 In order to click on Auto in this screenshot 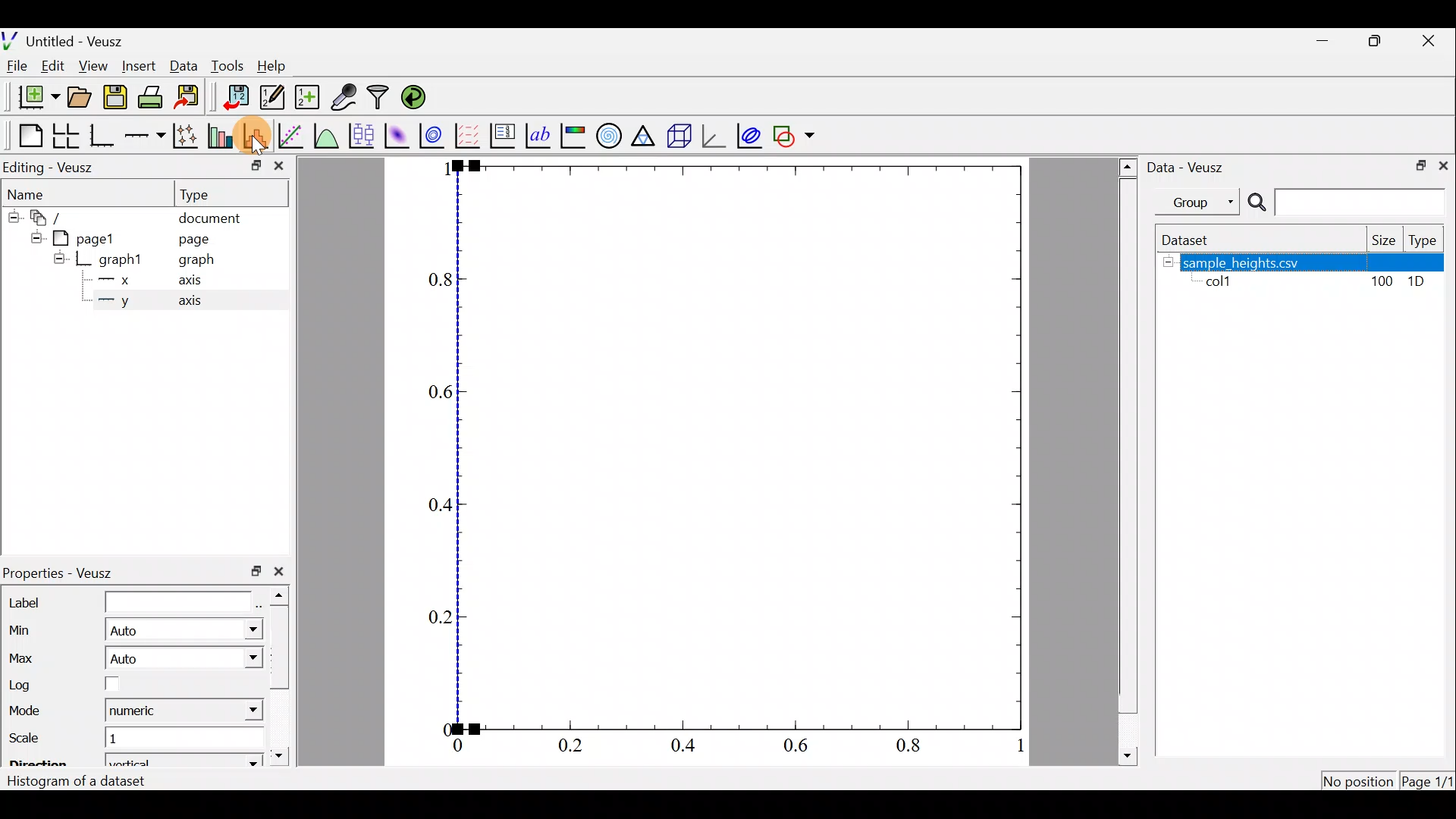, I will do `click(126, 661)`.